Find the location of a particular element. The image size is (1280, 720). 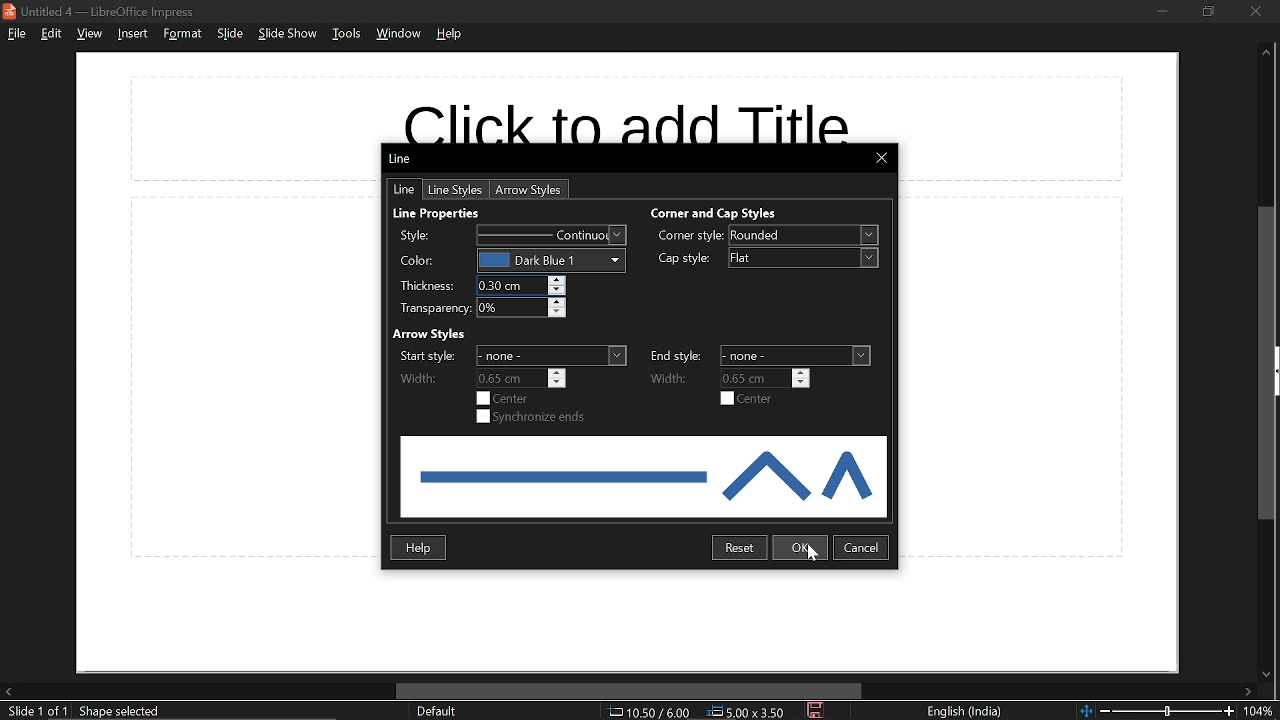

page style is located at coordinates (436, 711).